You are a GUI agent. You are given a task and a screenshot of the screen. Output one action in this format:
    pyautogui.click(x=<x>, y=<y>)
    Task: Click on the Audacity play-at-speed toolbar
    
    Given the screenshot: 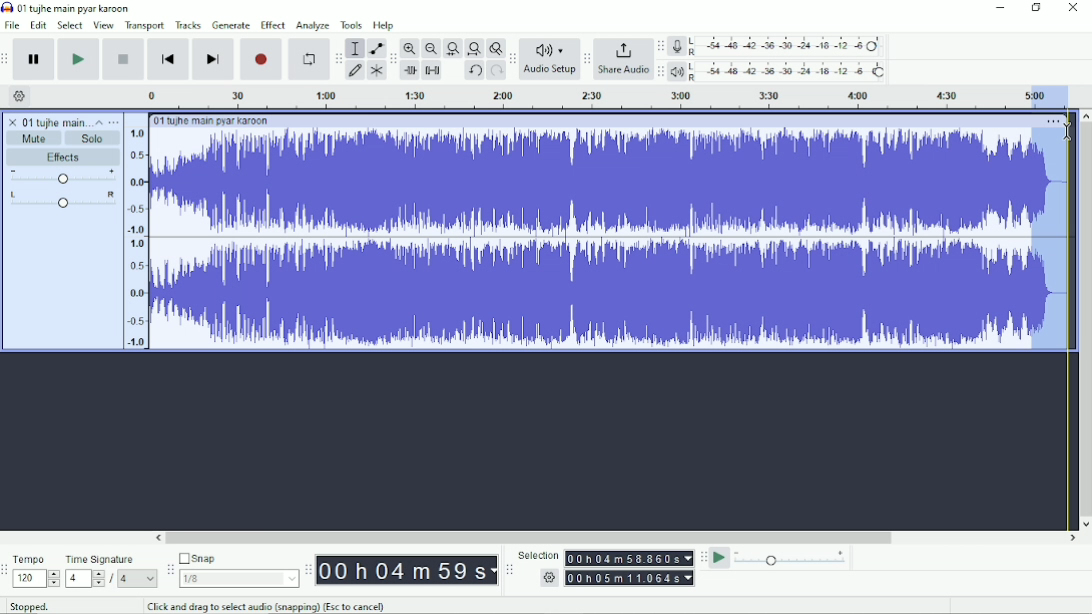 What is the action you would take?
    pyautogui.click(x=703, y=558)
    